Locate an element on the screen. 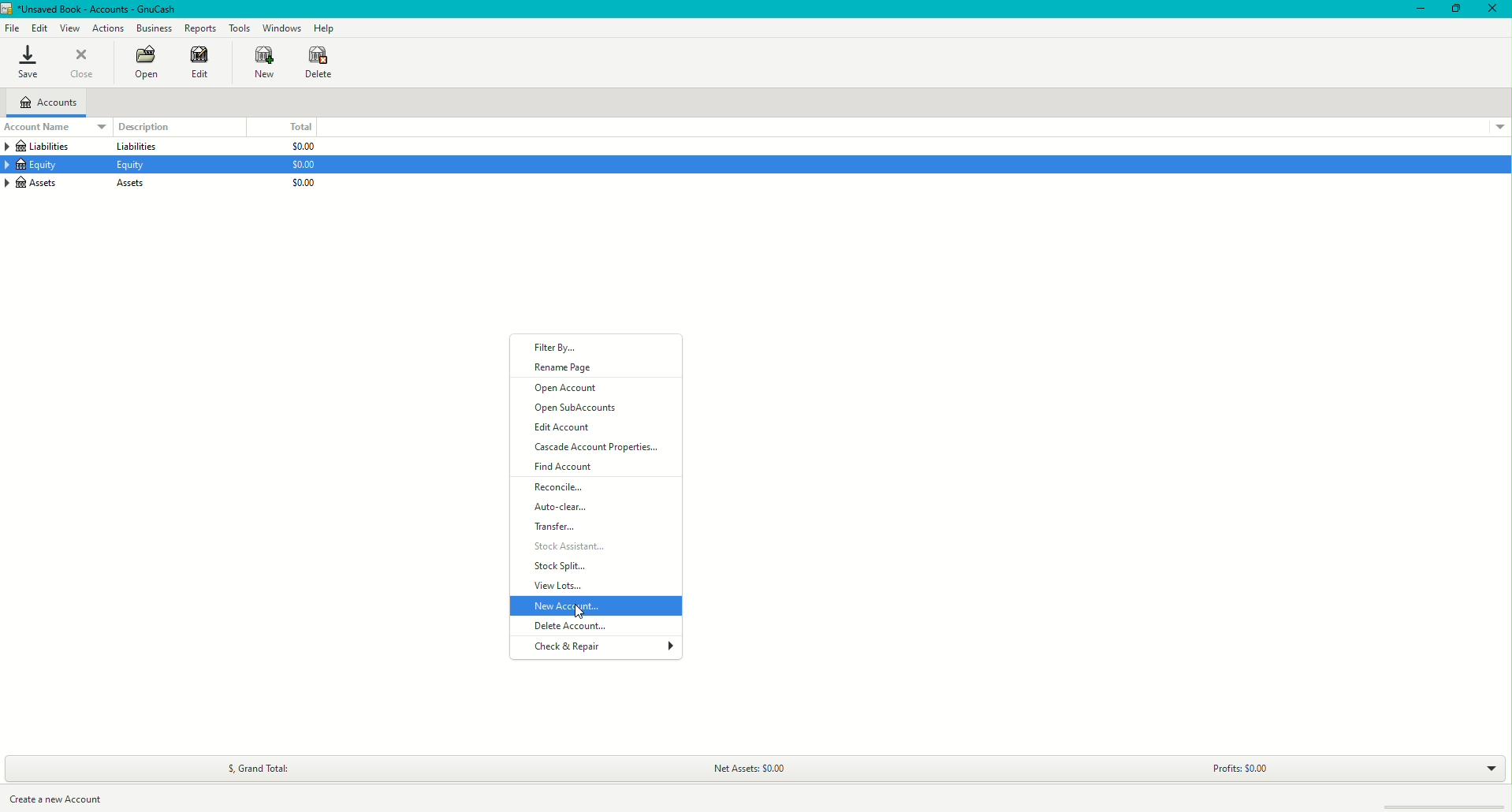 This screenshot has width=1512, height=812. Stock Split is located at coordinates (560, 566).